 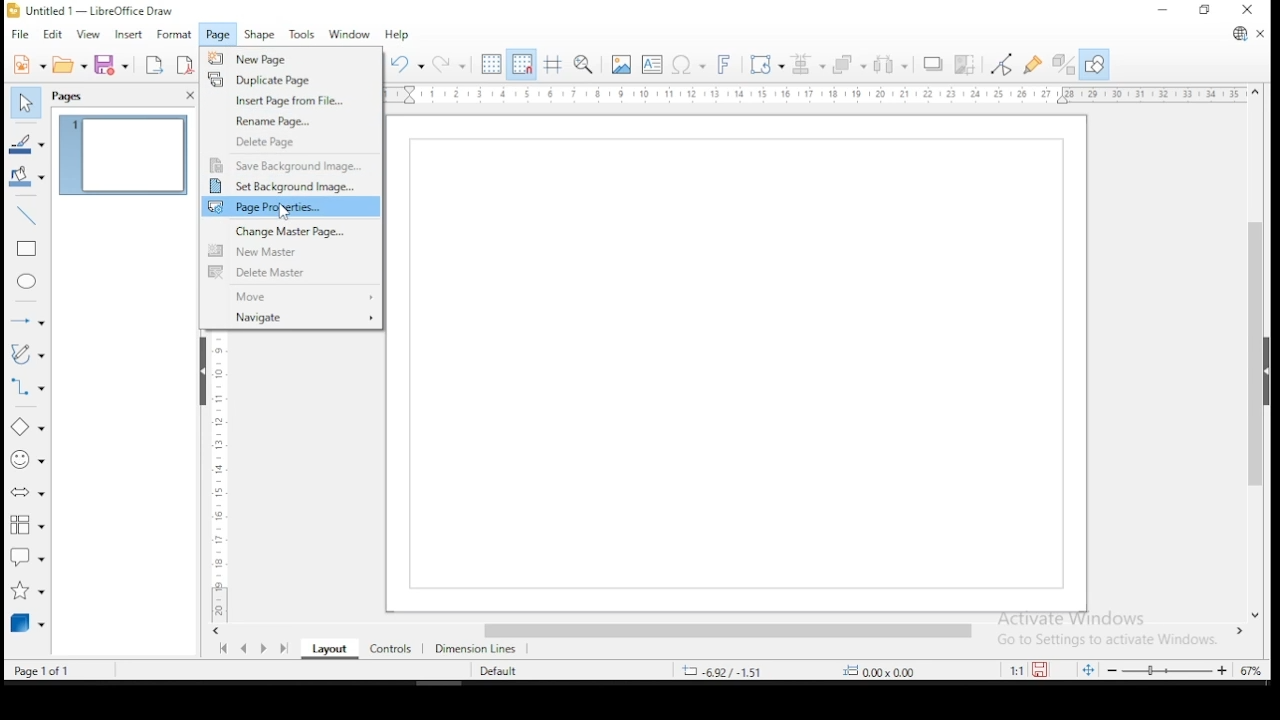 What do you see at coordinates (292, 141) in the screenshot?
I see `delete page` at bounding box center [292, 141].